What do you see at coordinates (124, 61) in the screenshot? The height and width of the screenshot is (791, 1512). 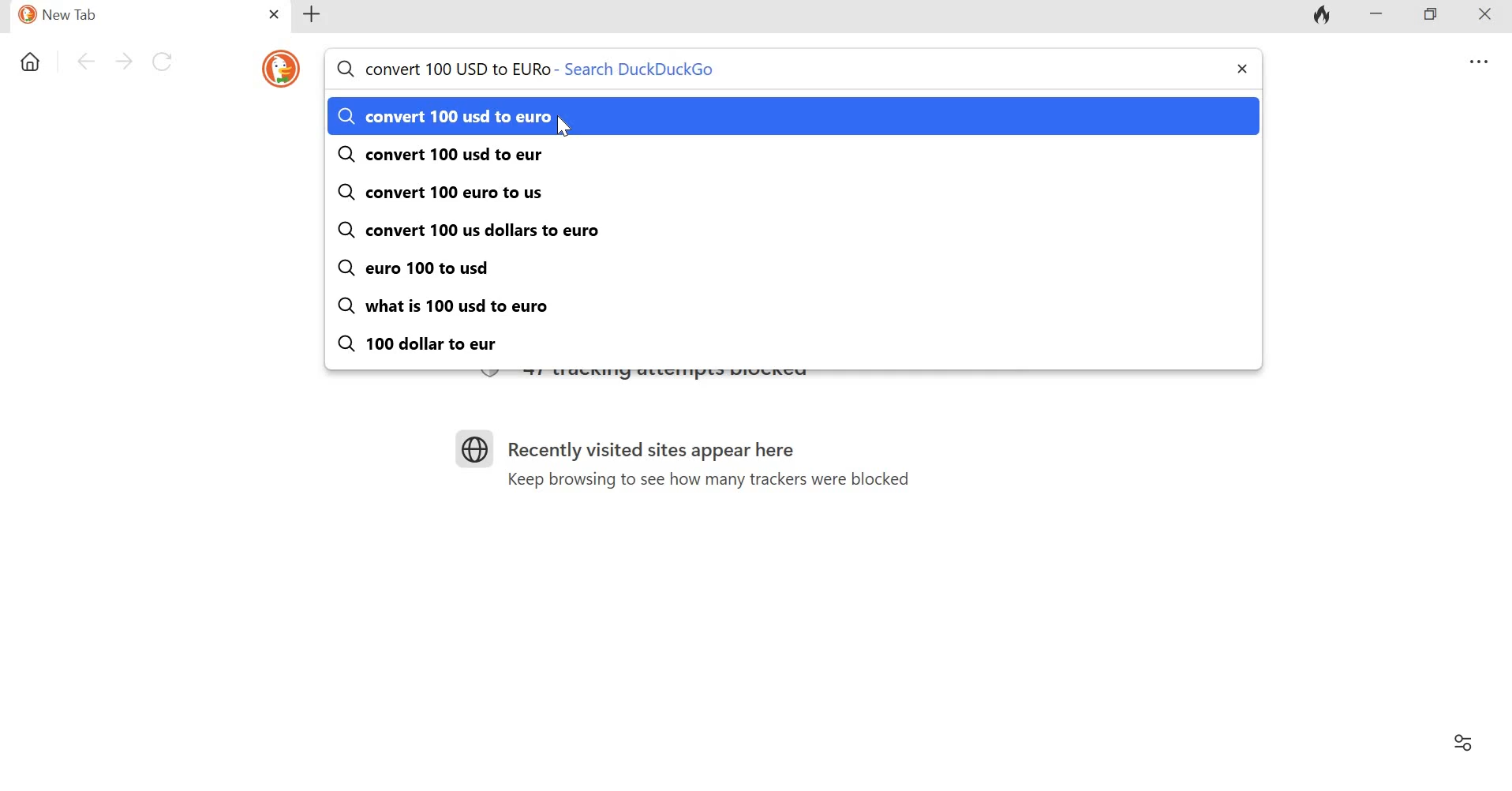 I see `Go forward one page` at bounding box center [124, 61].